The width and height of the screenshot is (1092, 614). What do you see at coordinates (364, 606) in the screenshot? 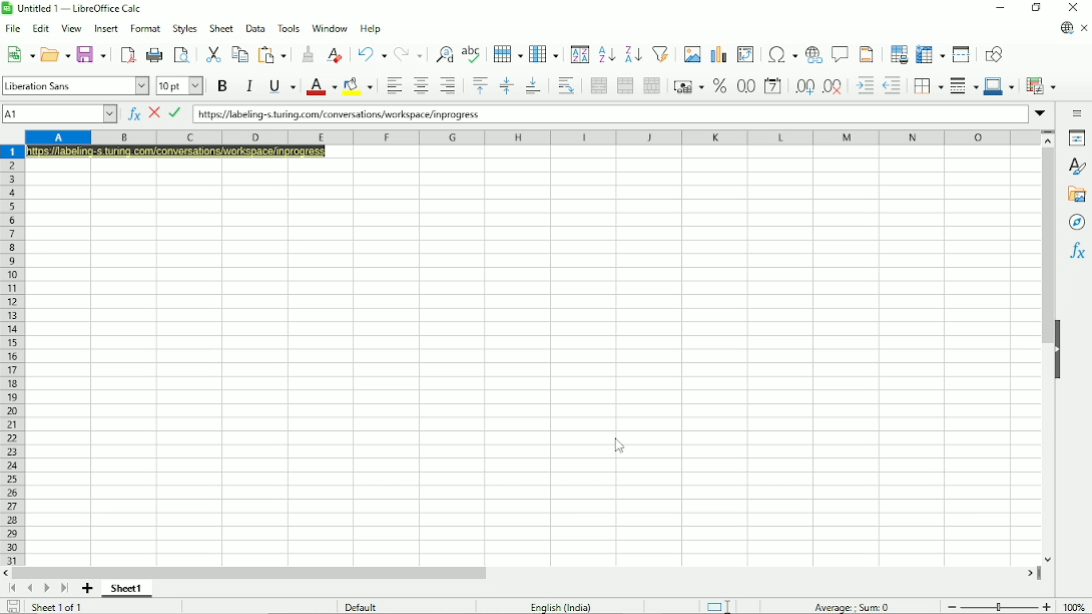
I see `Default` at bounding box center [364, 606].